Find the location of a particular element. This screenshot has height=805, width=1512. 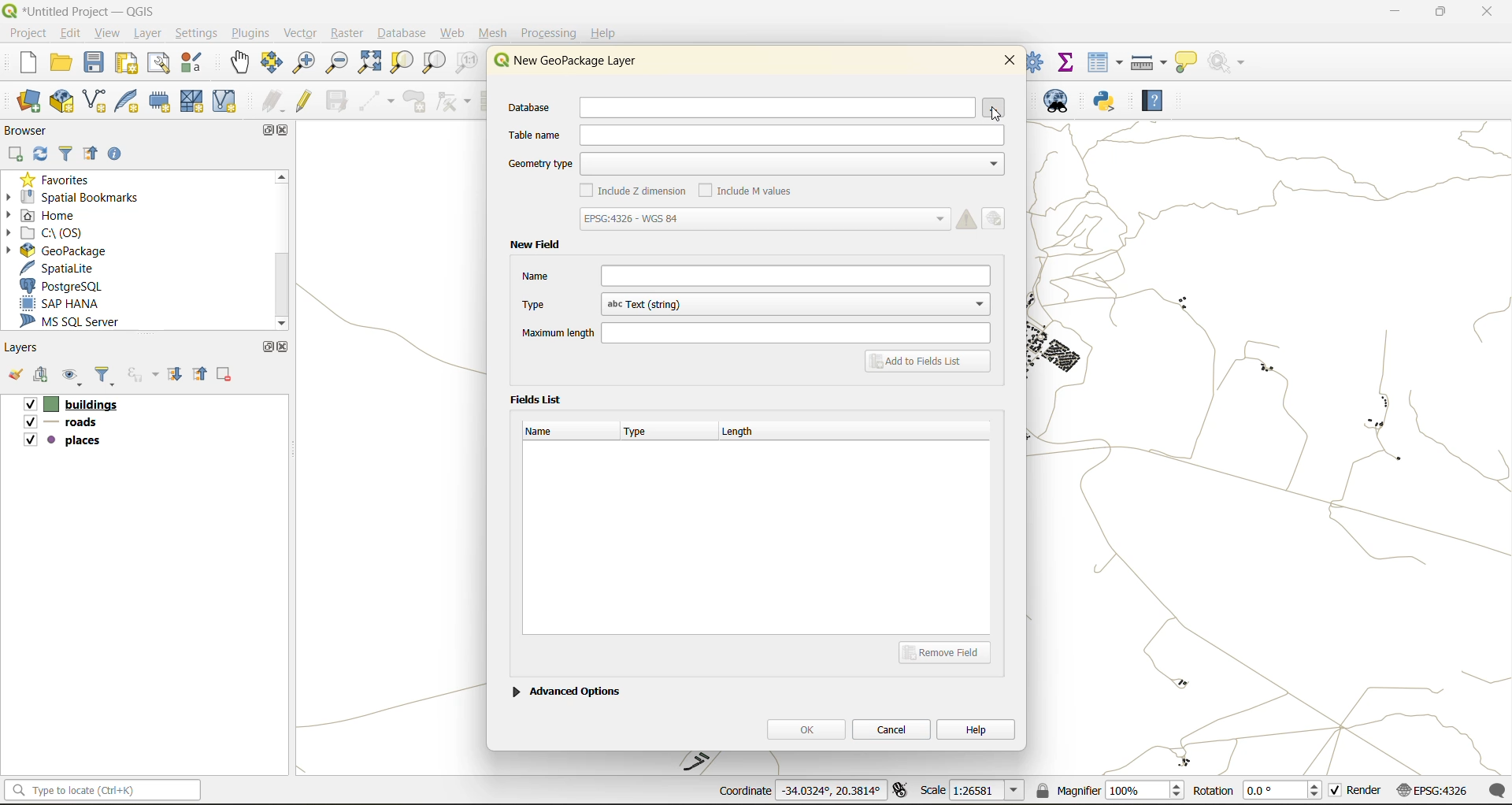

new shapefile layer is located at coordinates (95, 102).